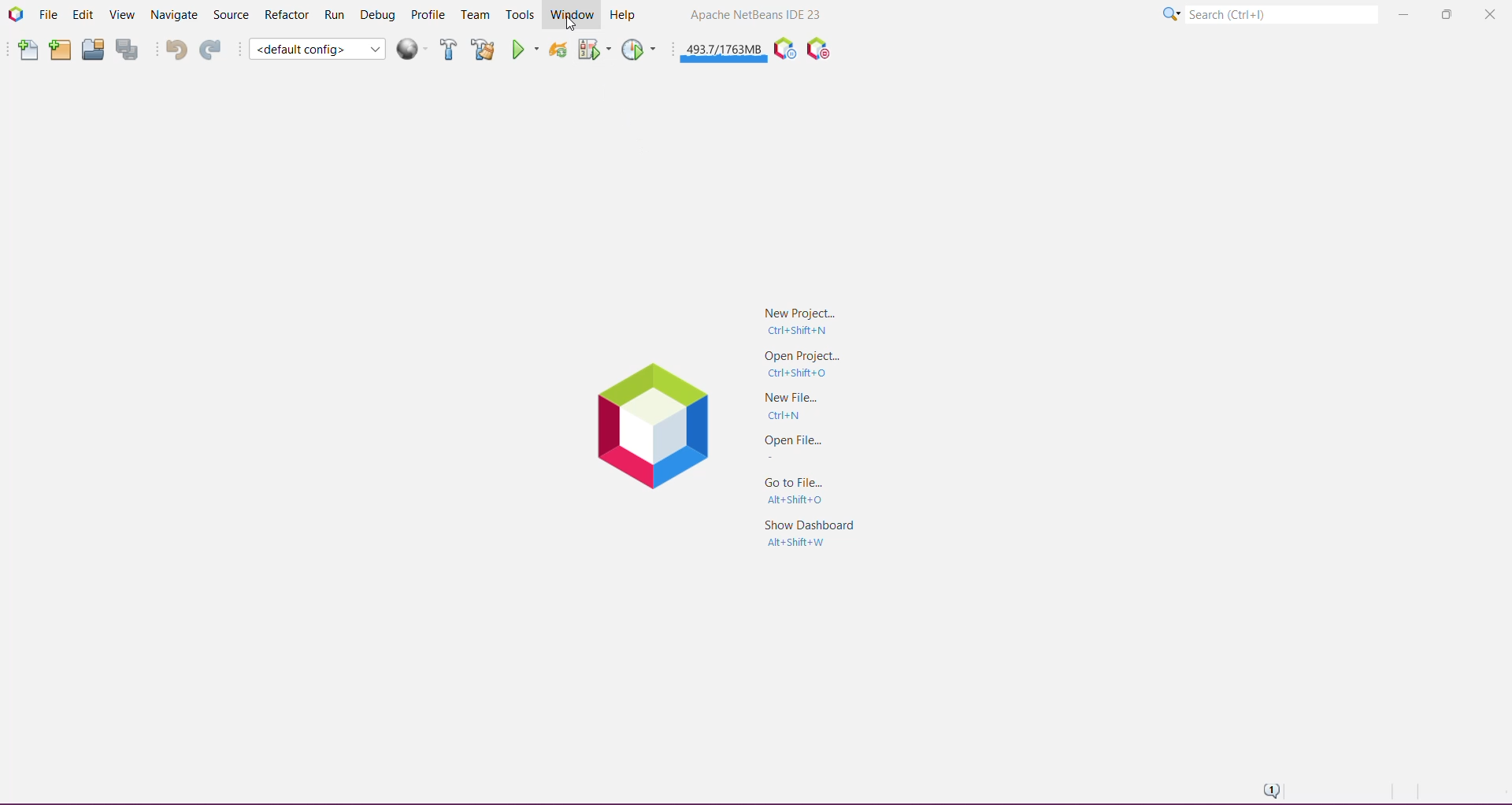  Describe the element at coordinates (808, 318) in the screenshot. I see `New Project` at that location.